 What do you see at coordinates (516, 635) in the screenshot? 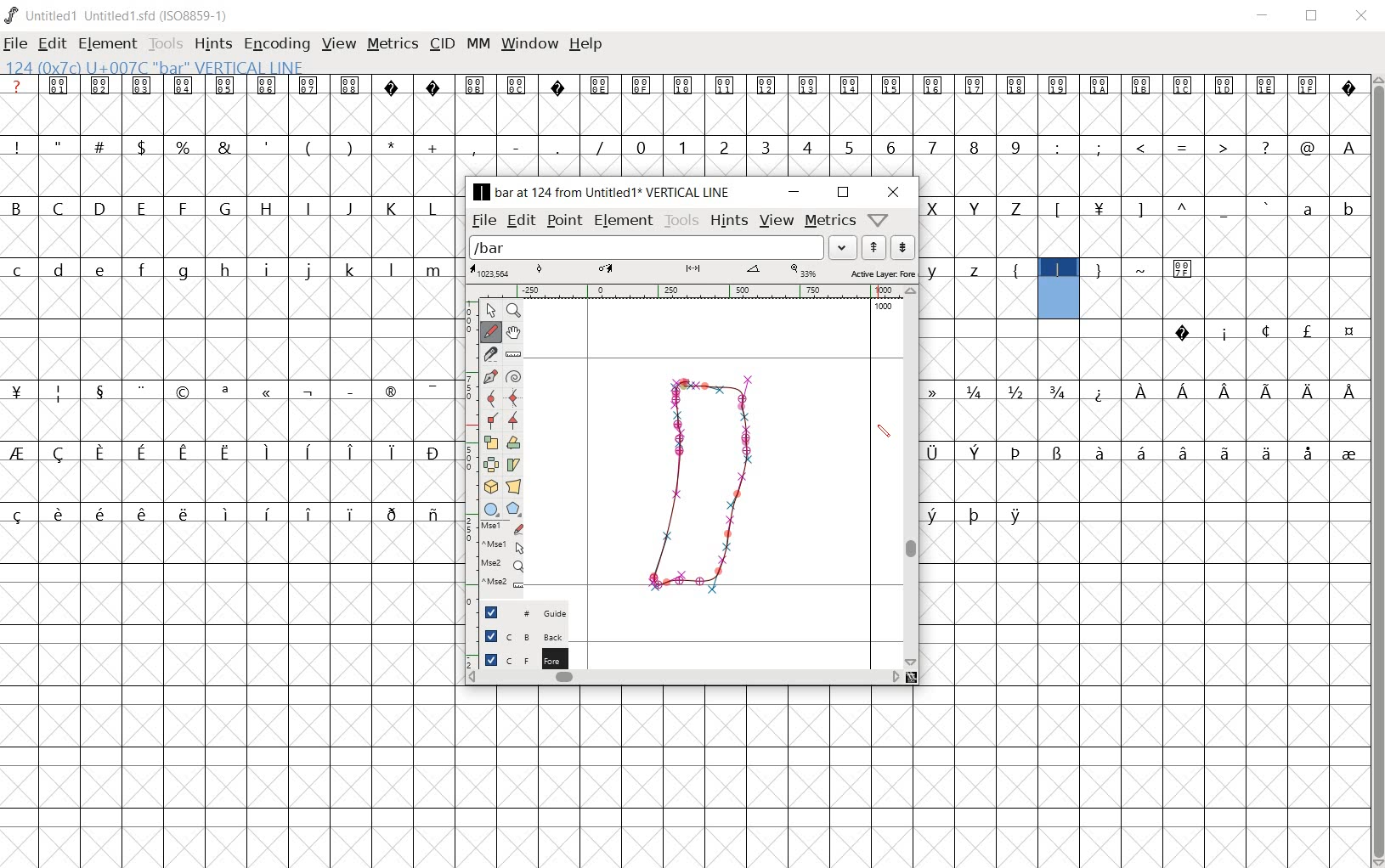
I see `background` at bounding box center [516, 635].